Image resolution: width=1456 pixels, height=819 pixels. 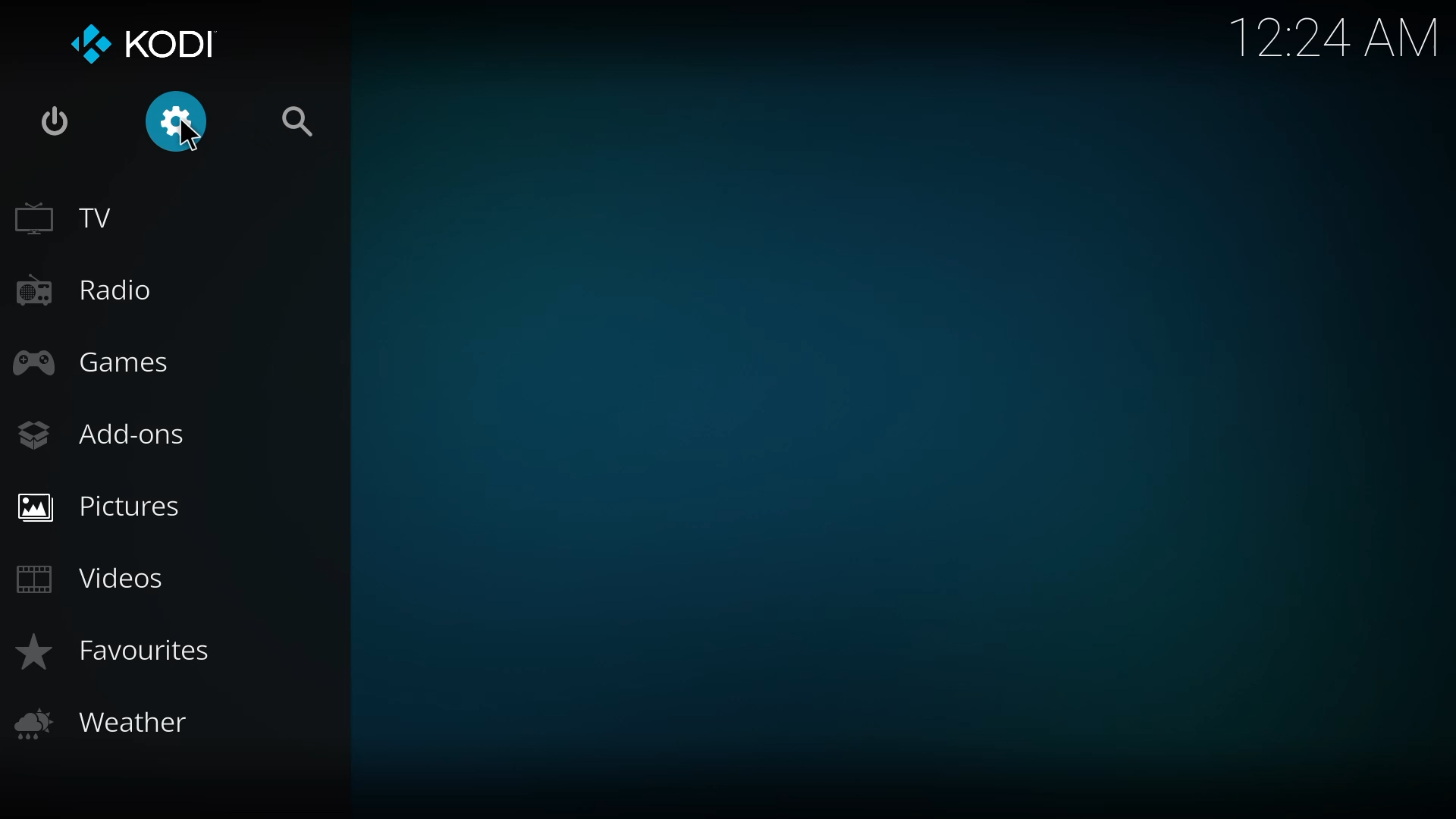 What do you see at coordinates (301, 124) in the screenshot?
I see `search` at bounding box center [301, 124].